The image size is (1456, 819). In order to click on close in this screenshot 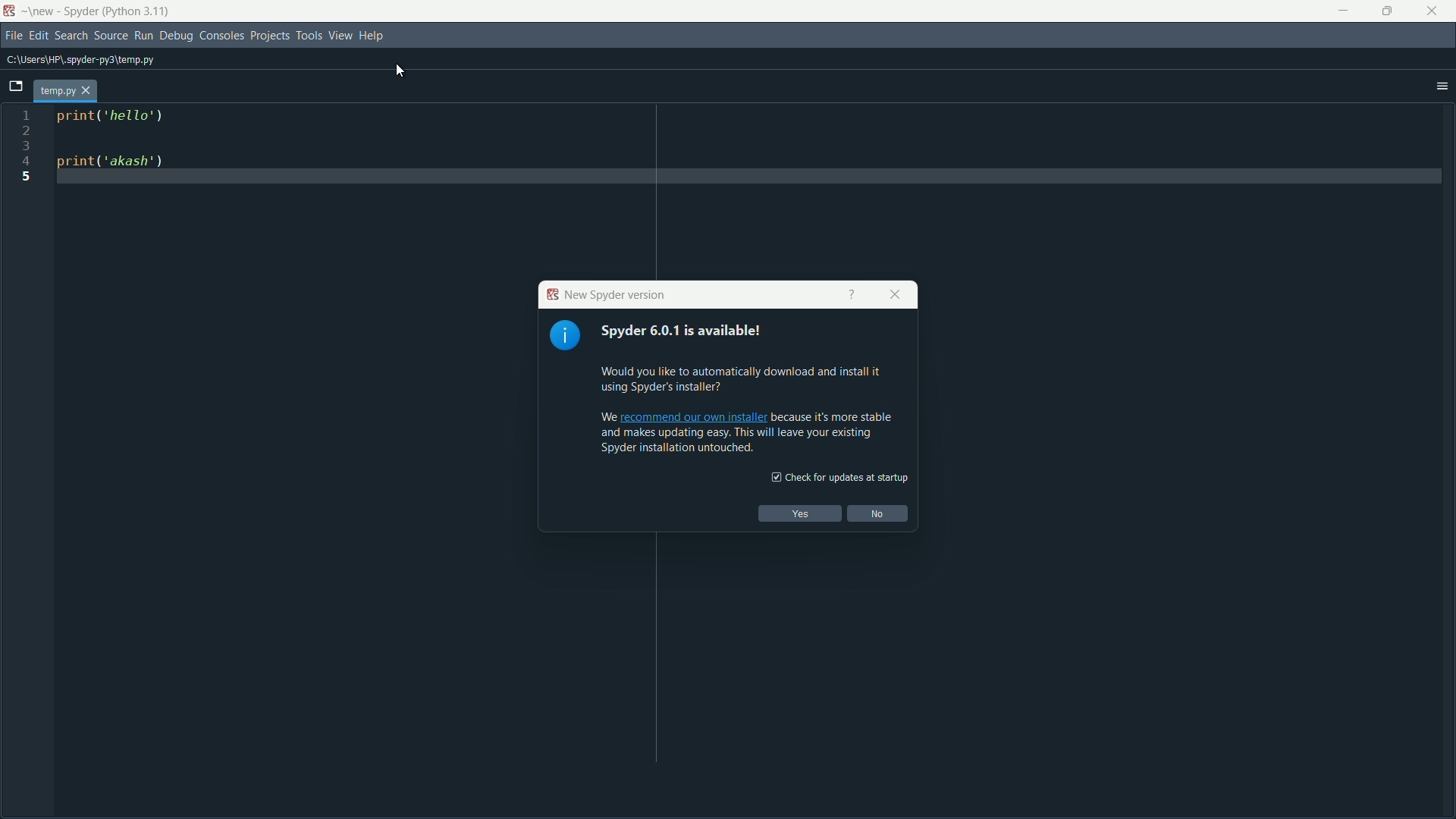, I will do `click(894, 295)`.